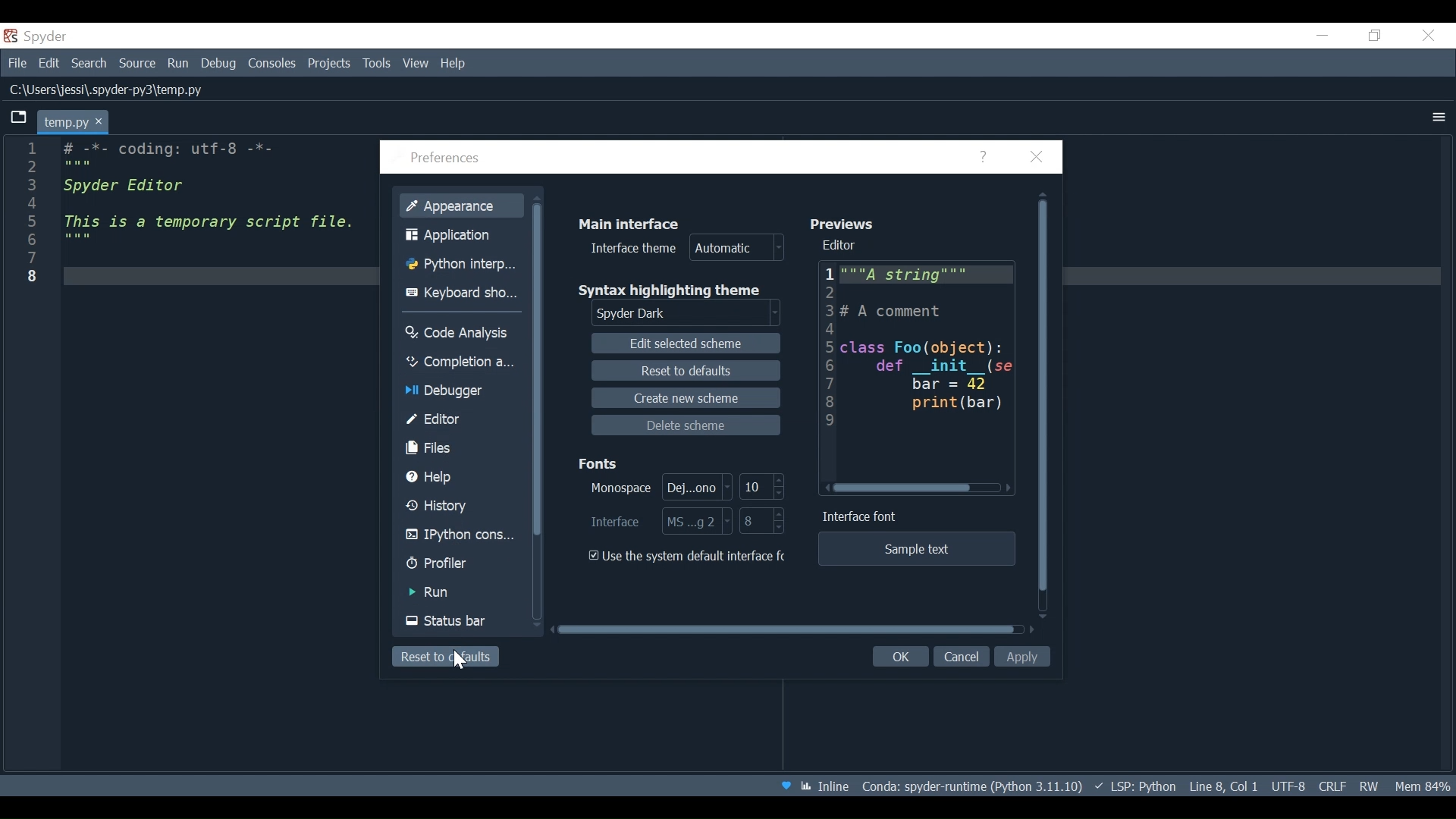 Image resolution: width=1456 pixels, height=819 pixels. I want to click on Debug, so click(221, 64).